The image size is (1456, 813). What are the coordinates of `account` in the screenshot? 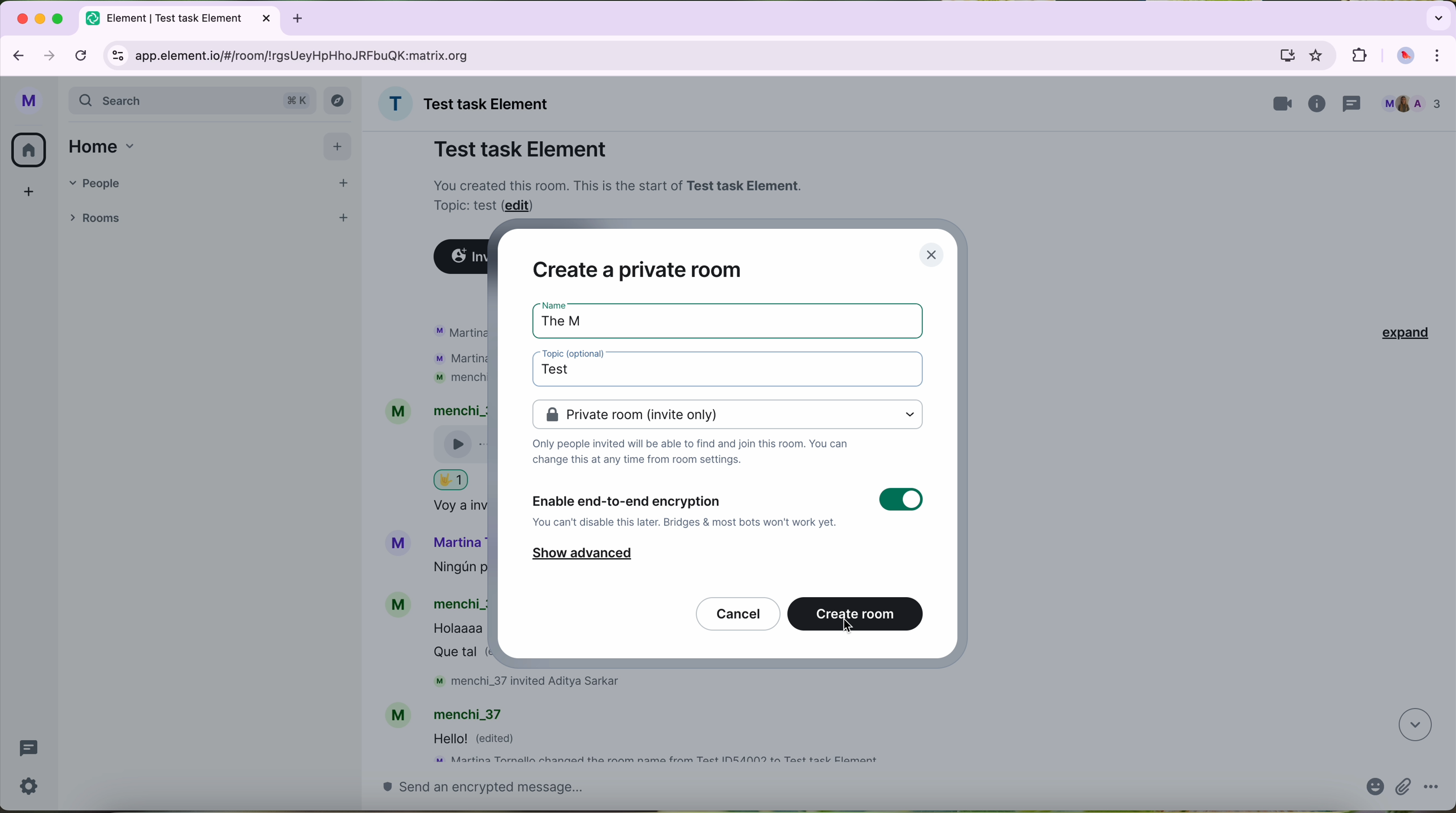 It's located at (453, 712).